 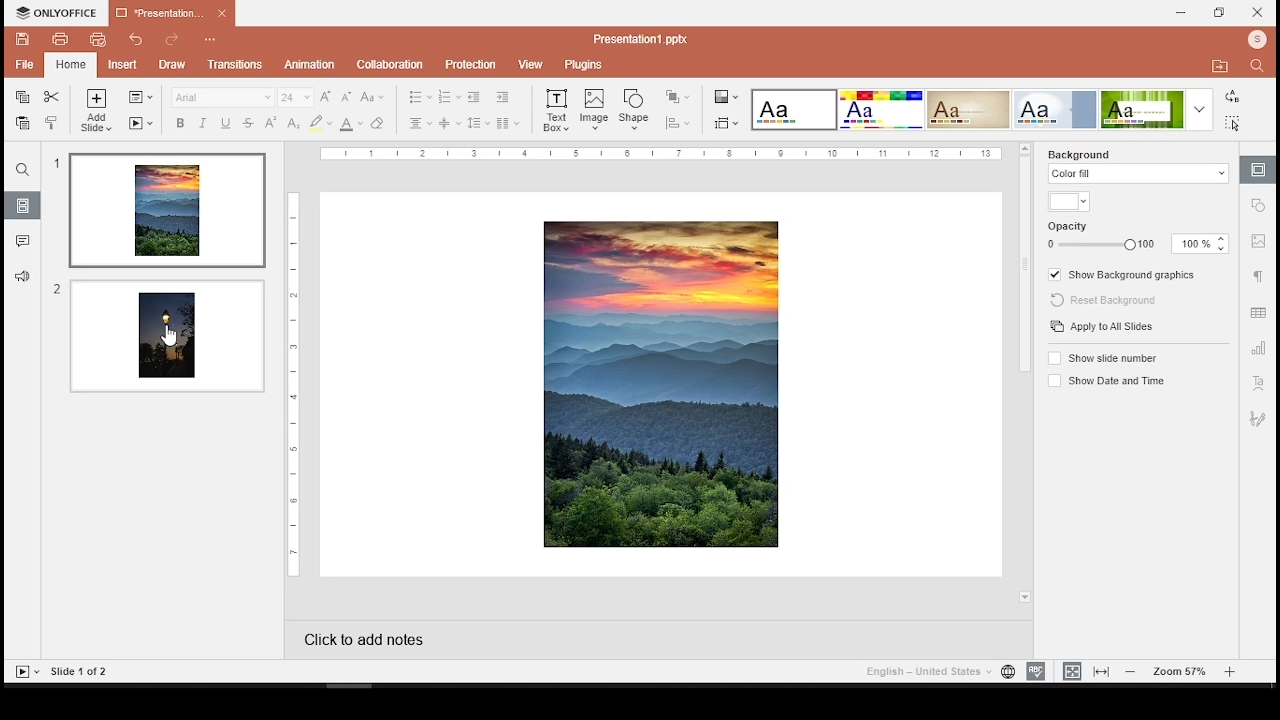 What do you see at coordinates (663, 154) in the screenshot?
I see `ruler` at bounding box center [663, 154].